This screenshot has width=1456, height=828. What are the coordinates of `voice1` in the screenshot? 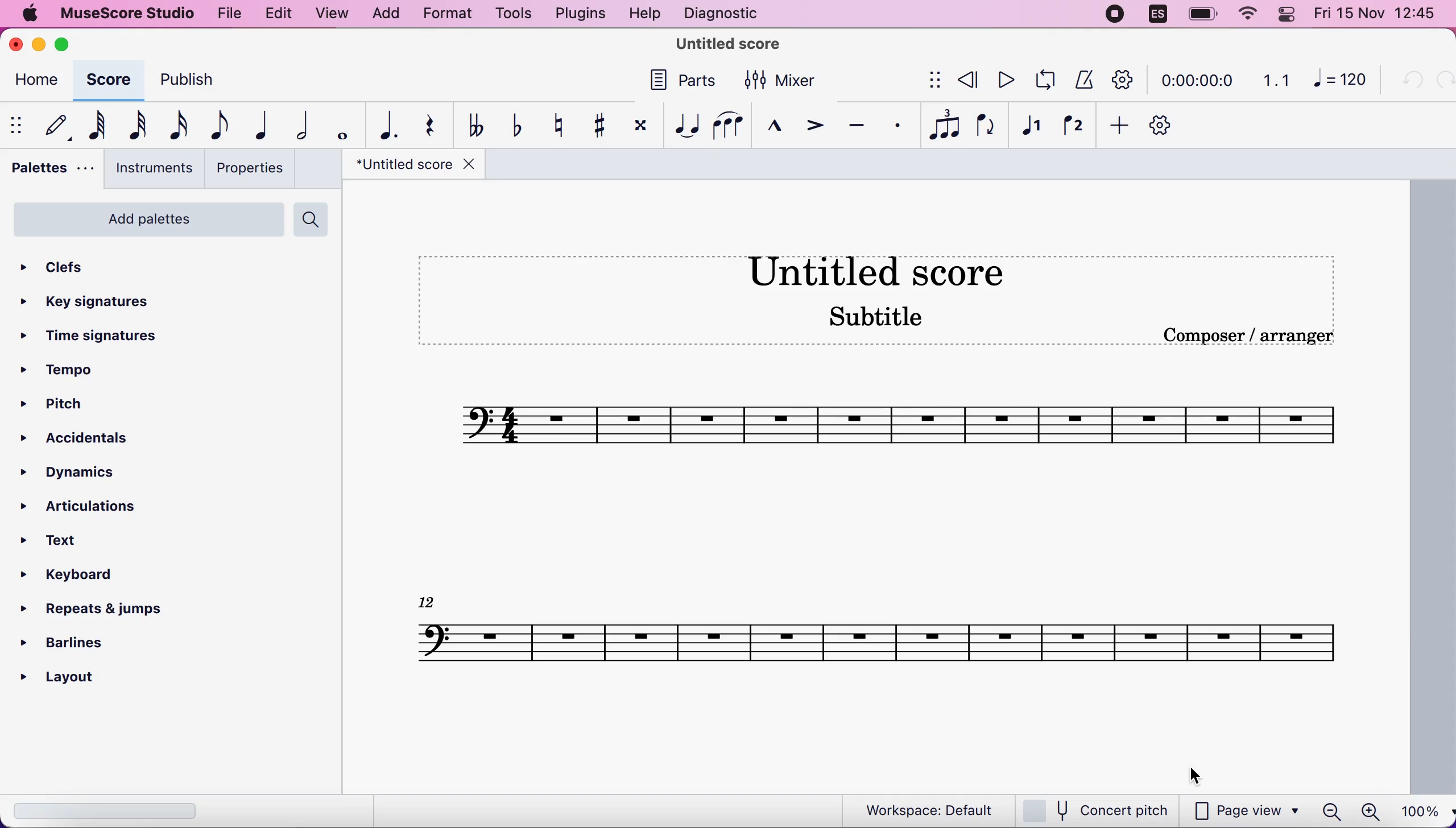 It's located at (1030, 123).